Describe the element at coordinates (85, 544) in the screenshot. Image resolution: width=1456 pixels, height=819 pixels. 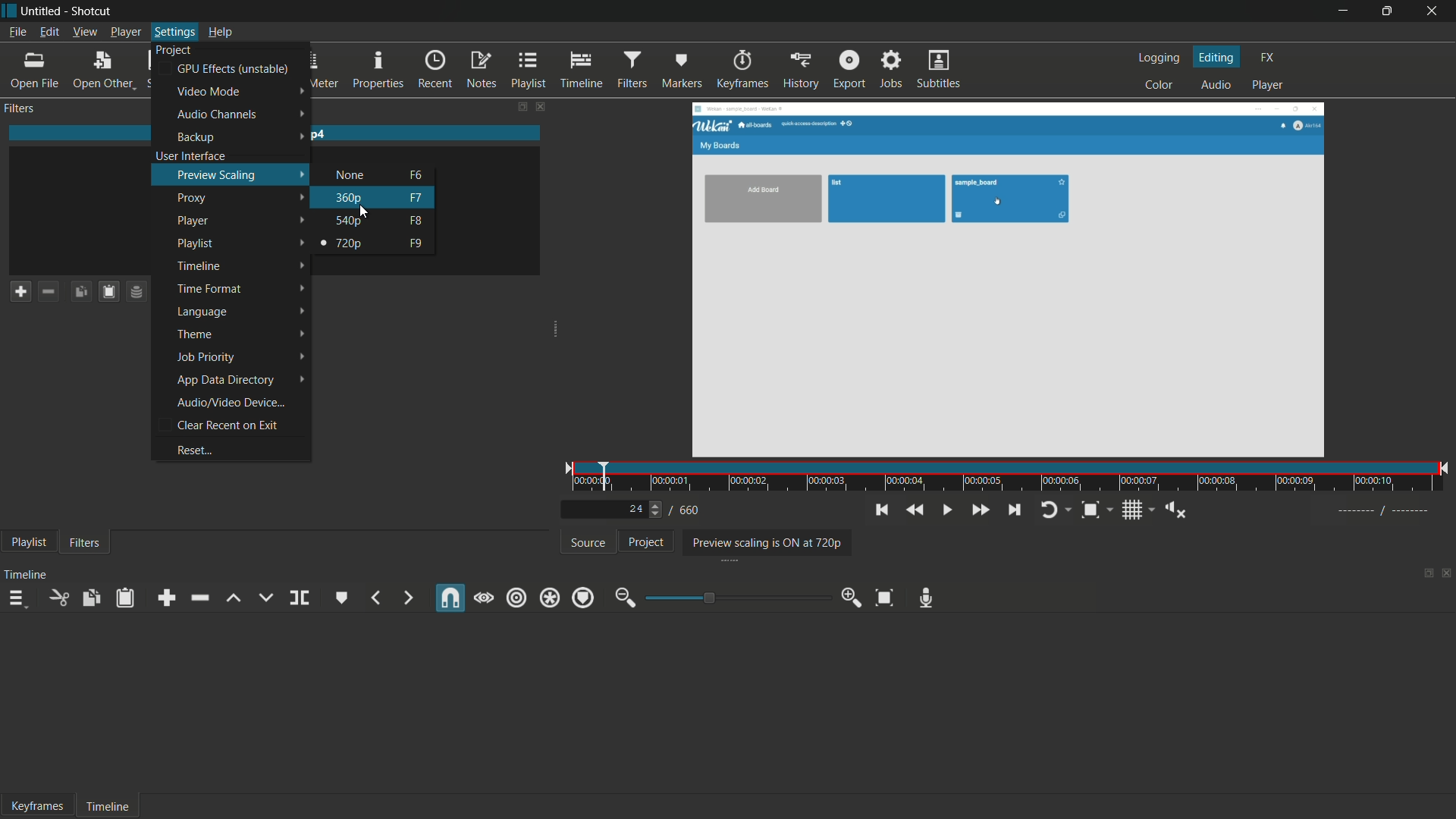
I see `filters` at that location.